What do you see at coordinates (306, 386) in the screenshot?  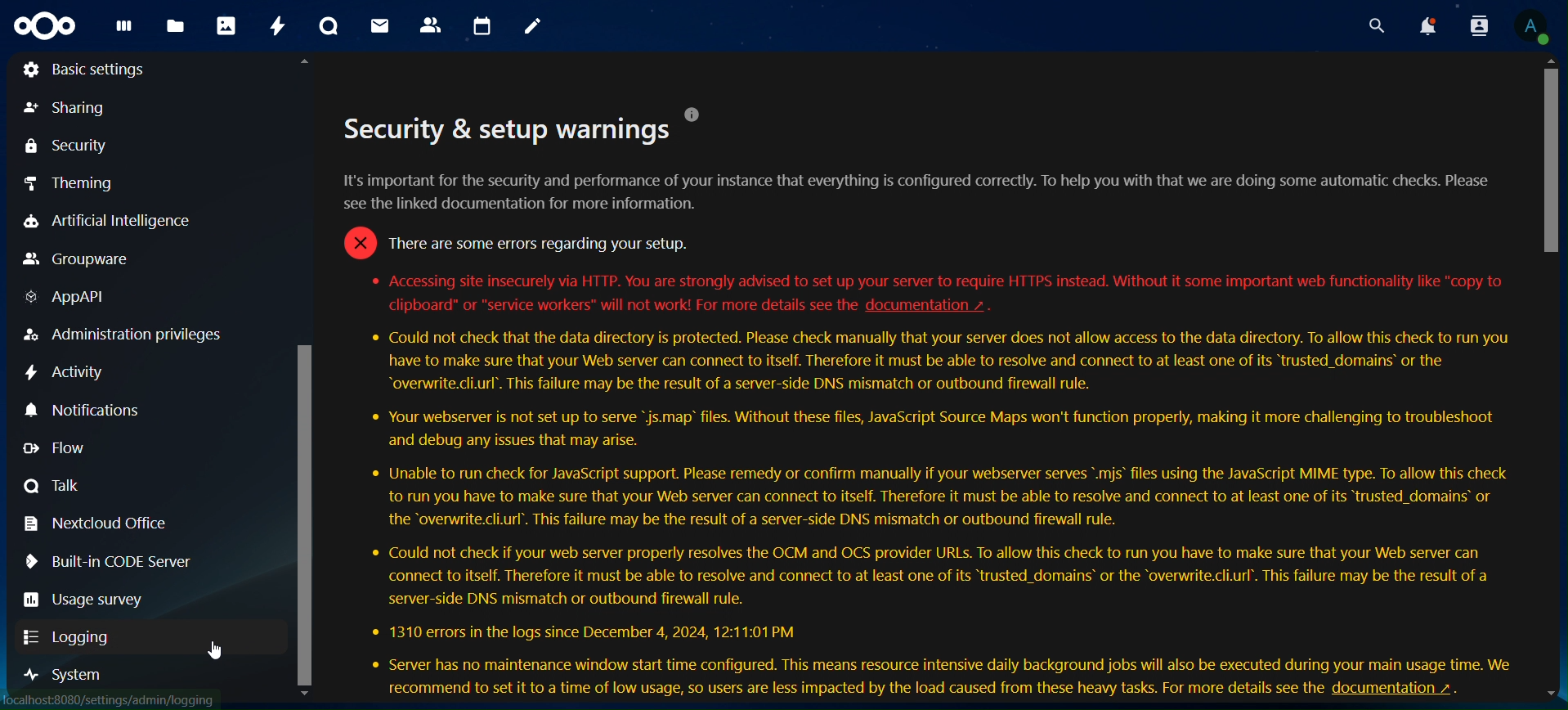 I see `scrollbar` at bounding box center [306, 386].